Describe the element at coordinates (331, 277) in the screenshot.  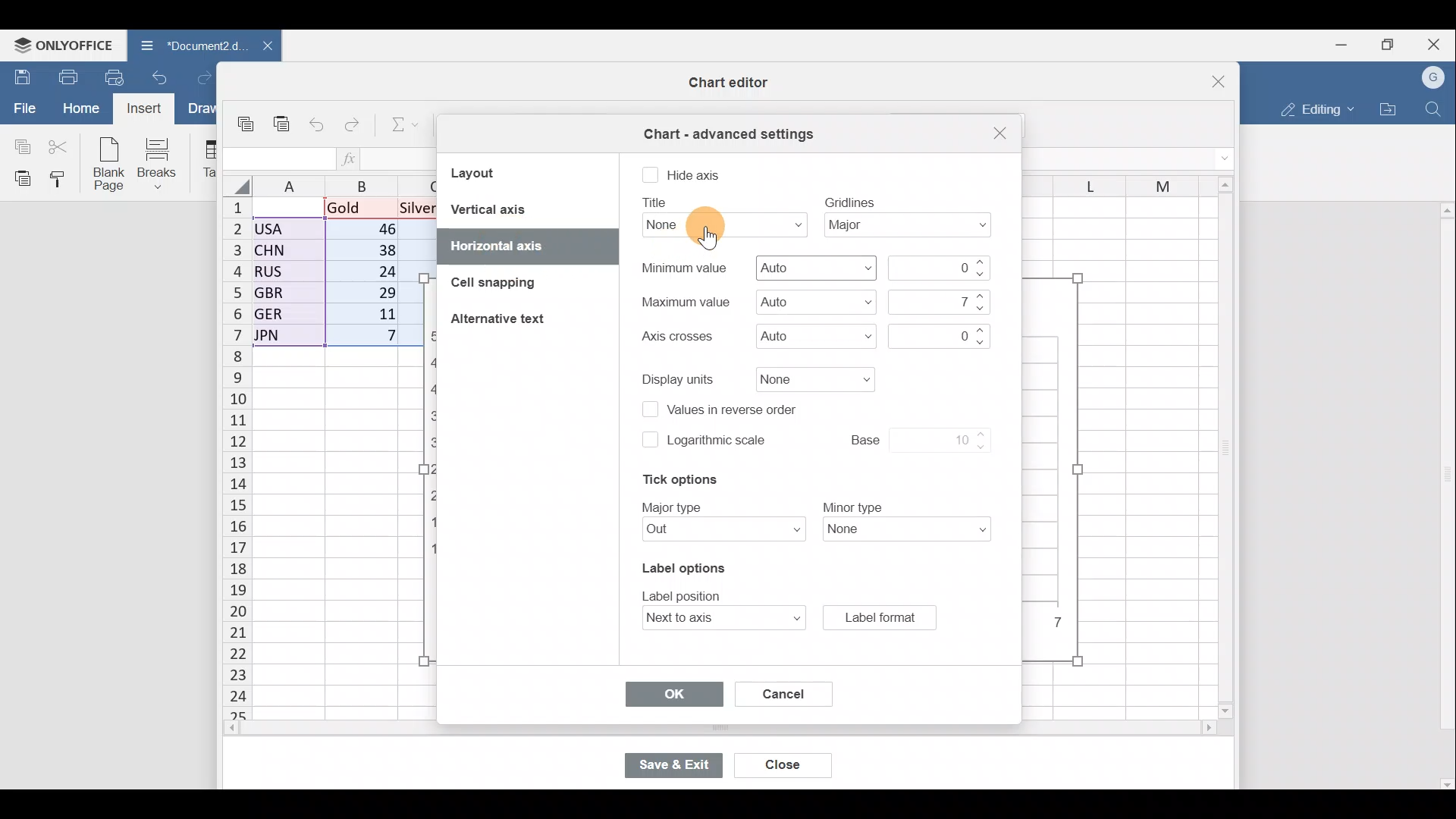
I see `Data` at that location.